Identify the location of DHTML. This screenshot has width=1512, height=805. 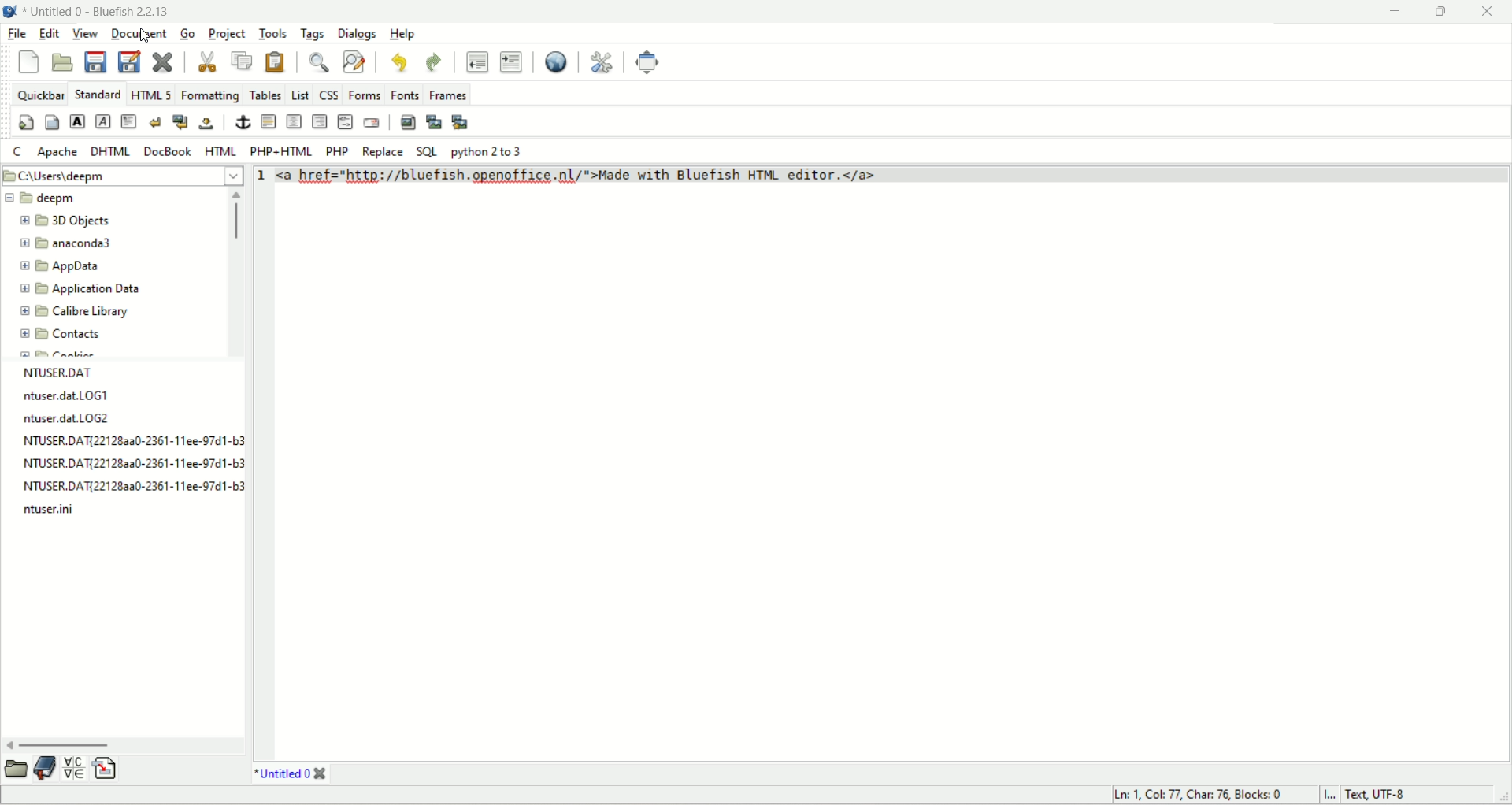
(110, 150).